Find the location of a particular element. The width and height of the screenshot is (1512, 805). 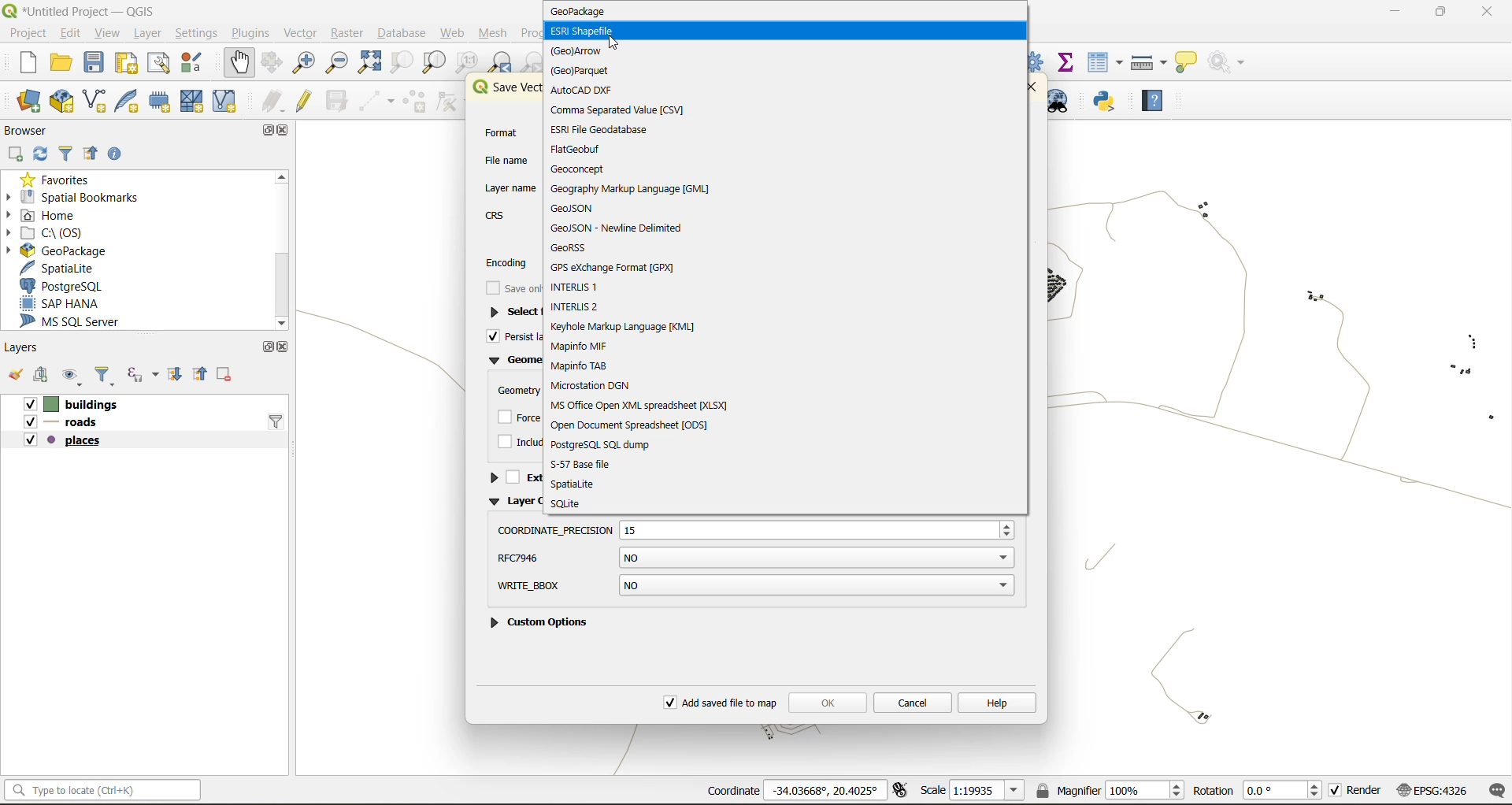

filter by expression is located at coordinates (141, 376).